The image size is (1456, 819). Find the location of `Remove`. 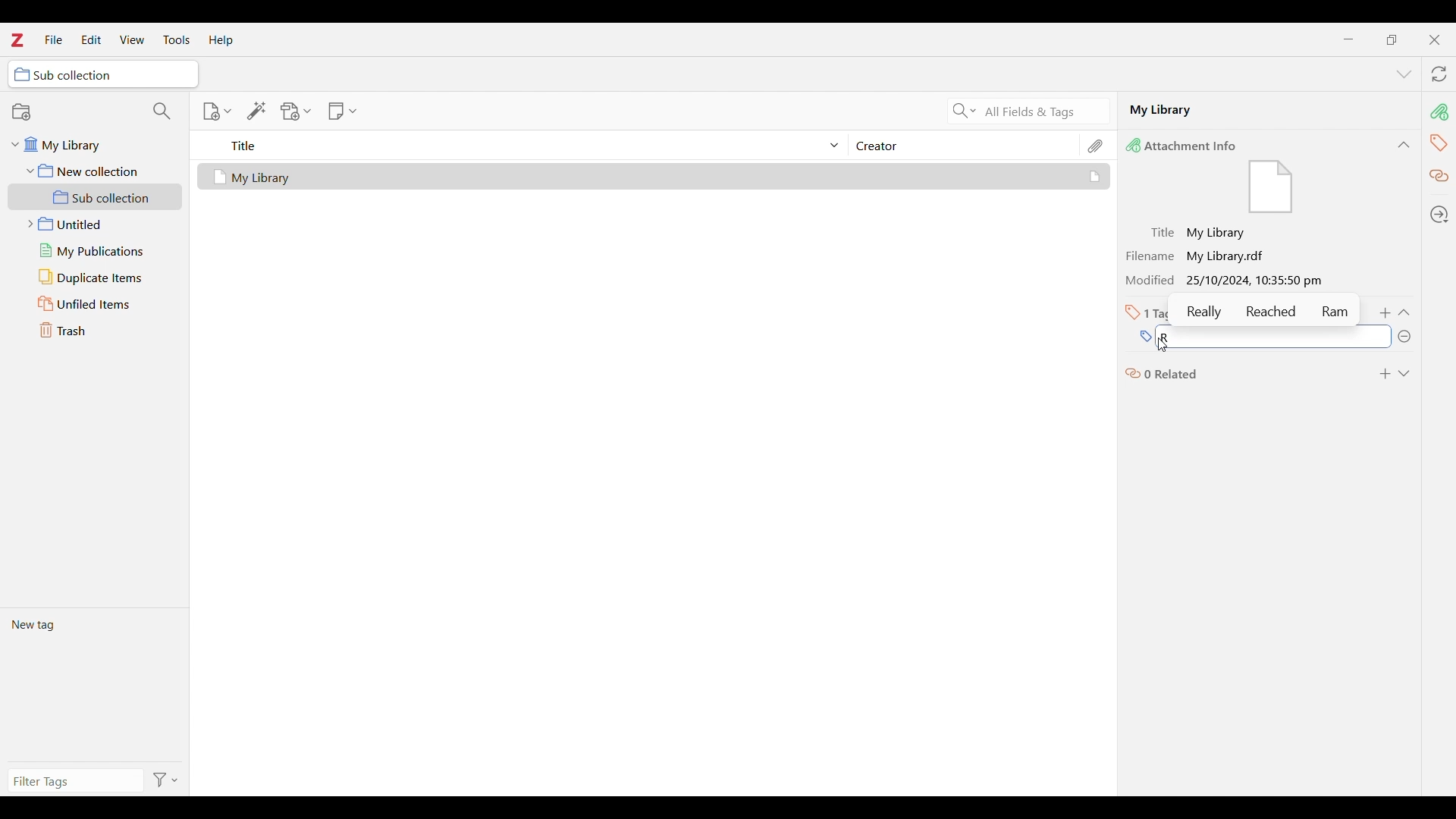

Remove is located at coordinates (1404, 337).